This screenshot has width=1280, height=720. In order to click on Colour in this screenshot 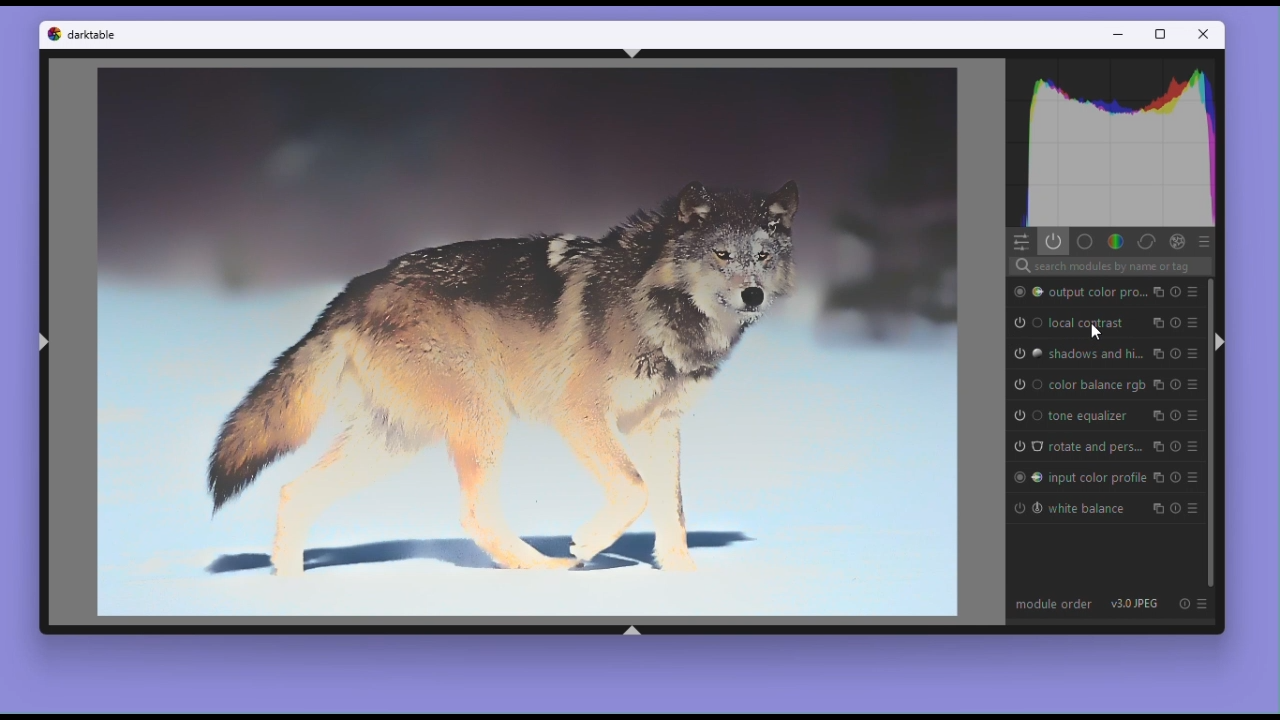, I will do `click(1114, 241)`.